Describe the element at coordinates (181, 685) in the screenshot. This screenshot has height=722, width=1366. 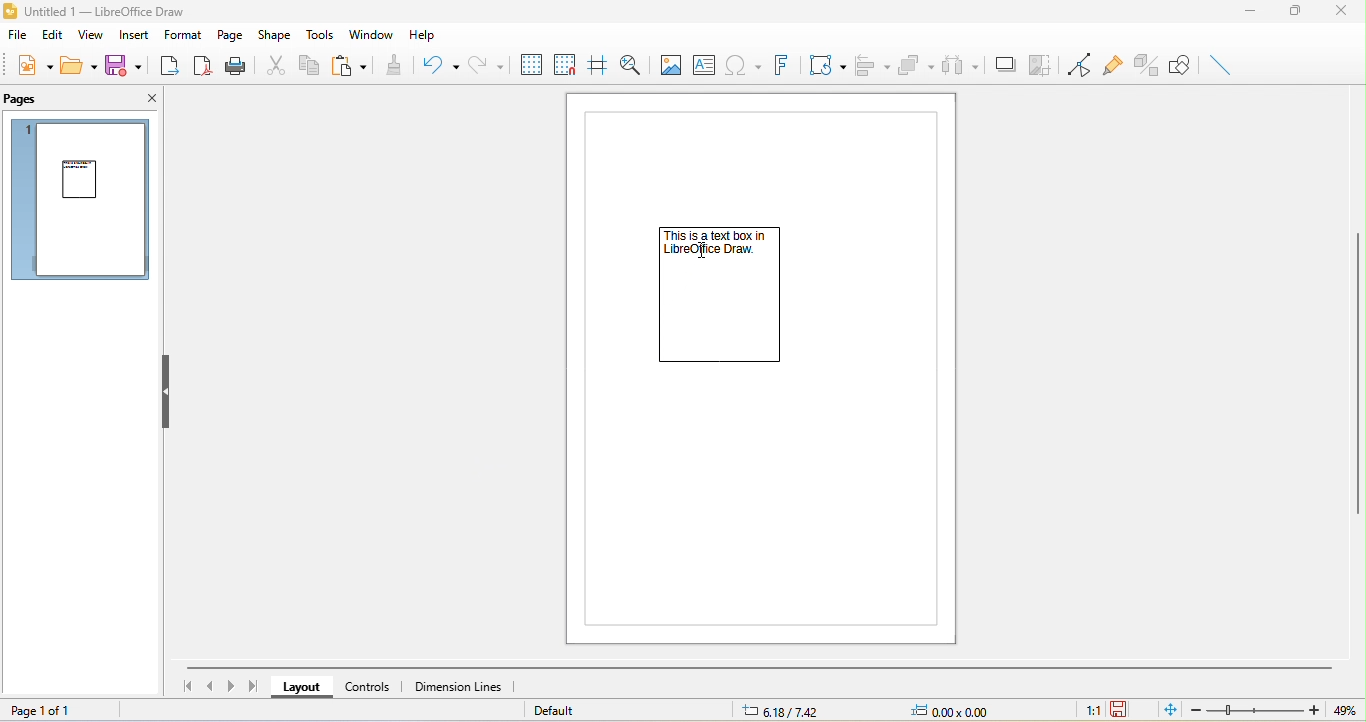
I see `first page` at that location.